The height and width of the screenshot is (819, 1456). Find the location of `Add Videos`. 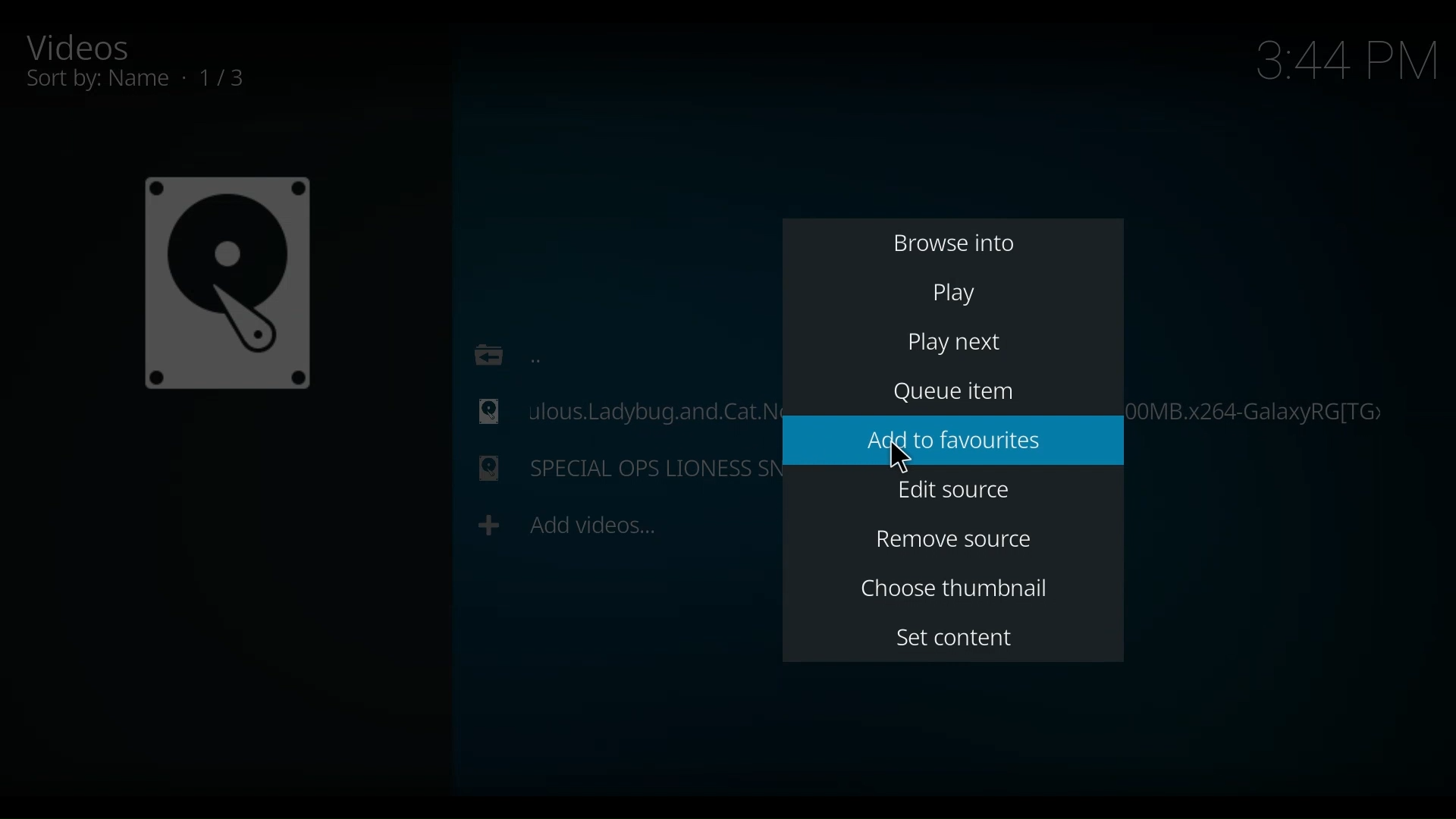

Add Videos is located at coordinates (568, 525).